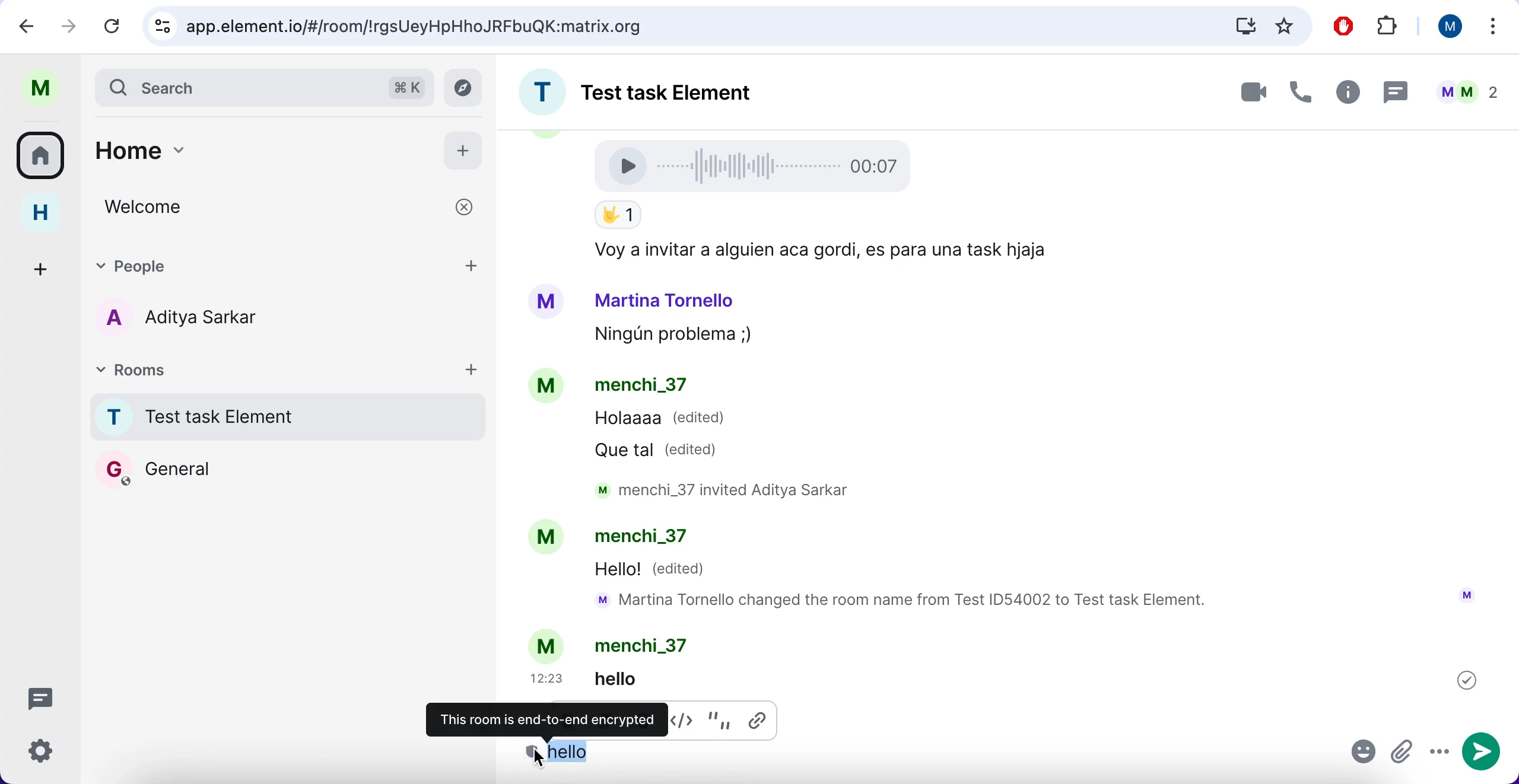 The width and height of the screenshot is (1519, 784). Describe the element at coordinates (667, 336) in the screenshot. I see `Ningun problema ;,` at that location.